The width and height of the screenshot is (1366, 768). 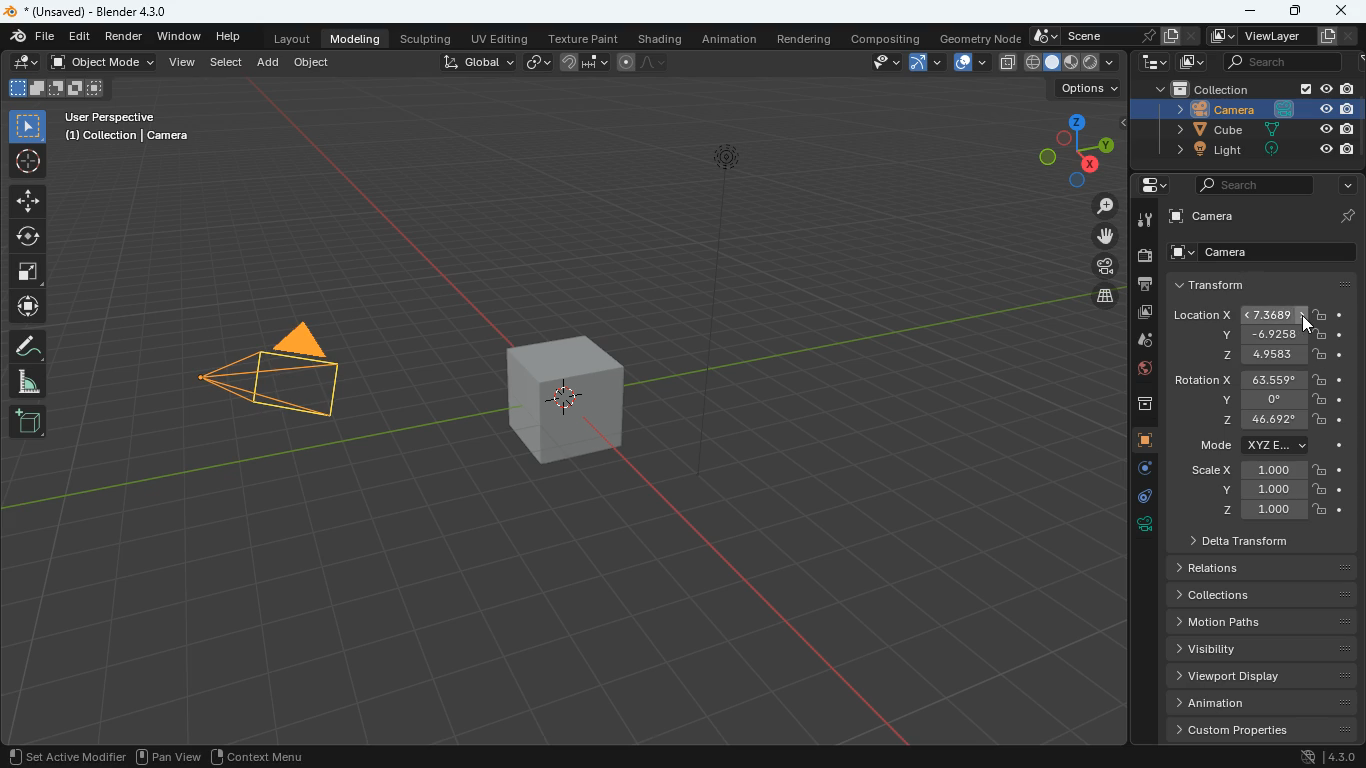 I want to click on draw, so click(x=27, y=344).